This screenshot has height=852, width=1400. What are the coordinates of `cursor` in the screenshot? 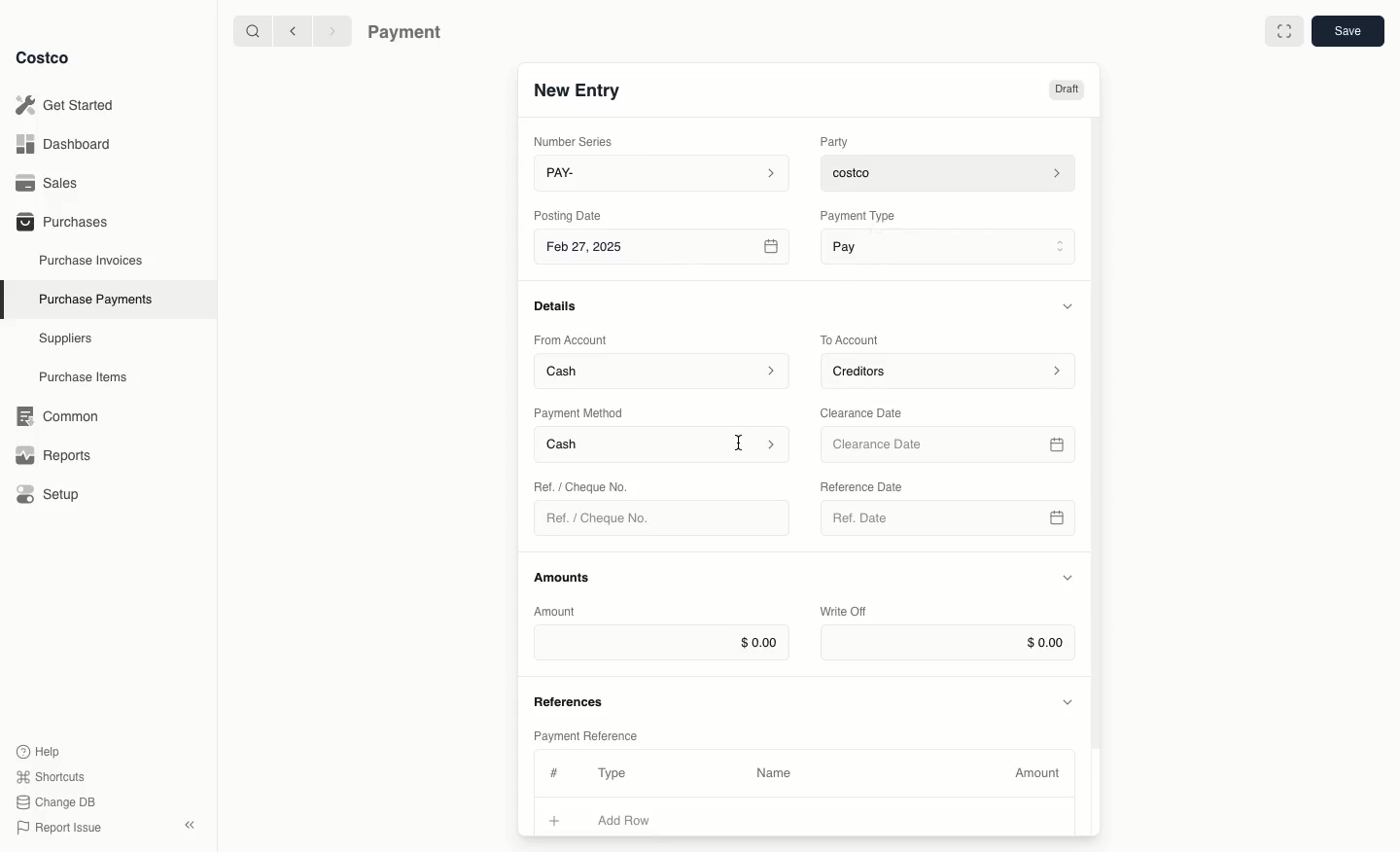 It's located at (742, 443).